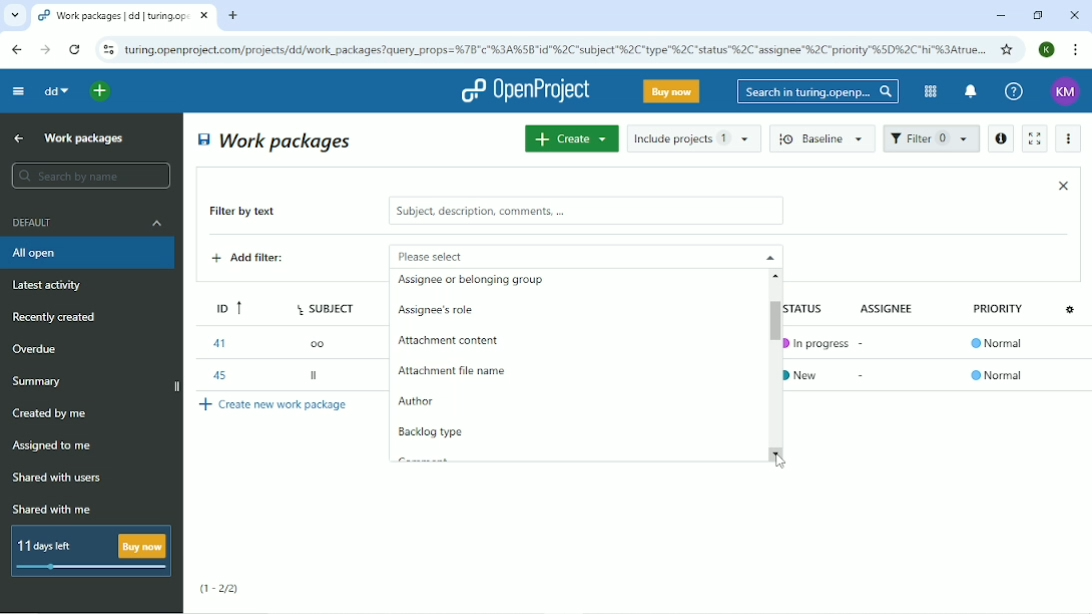  Describe the element at coordinates (818, 91) in the screenshot. I see `Search` at that location.